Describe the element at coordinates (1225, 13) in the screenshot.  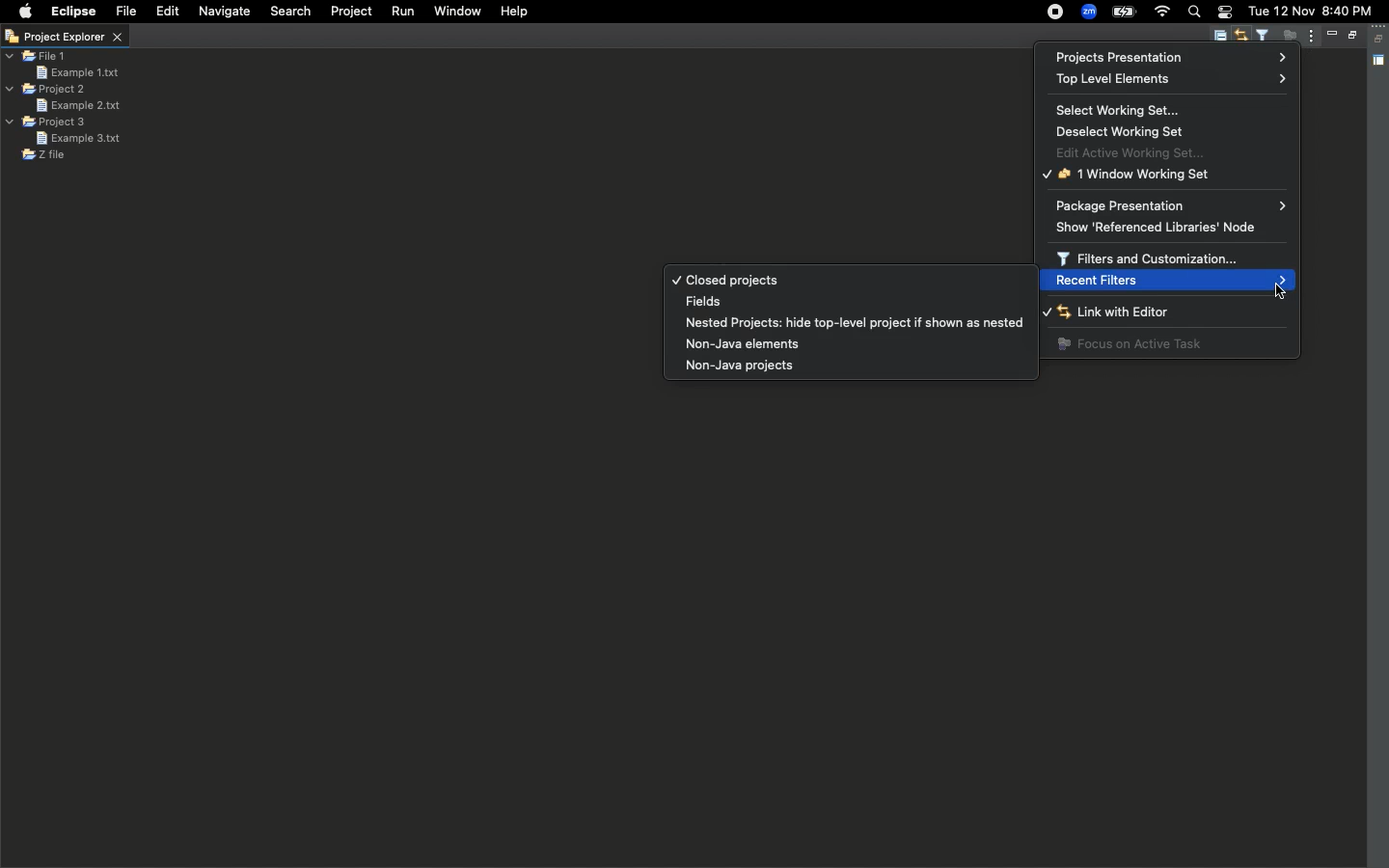
I see `Notification` at that location.